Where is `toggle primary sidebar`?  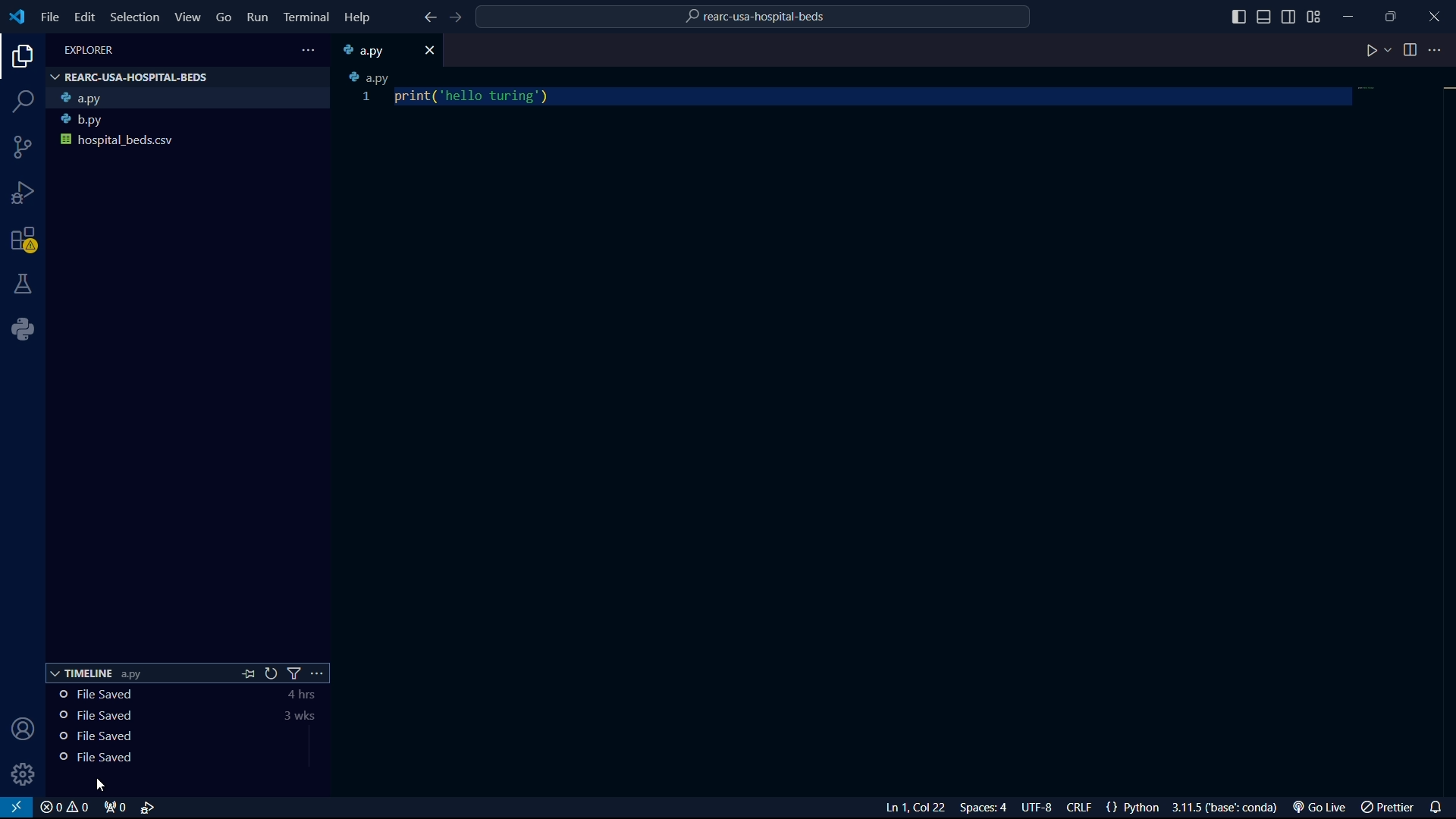 toggle primary sidebar is located at coordinates (1238, 16).